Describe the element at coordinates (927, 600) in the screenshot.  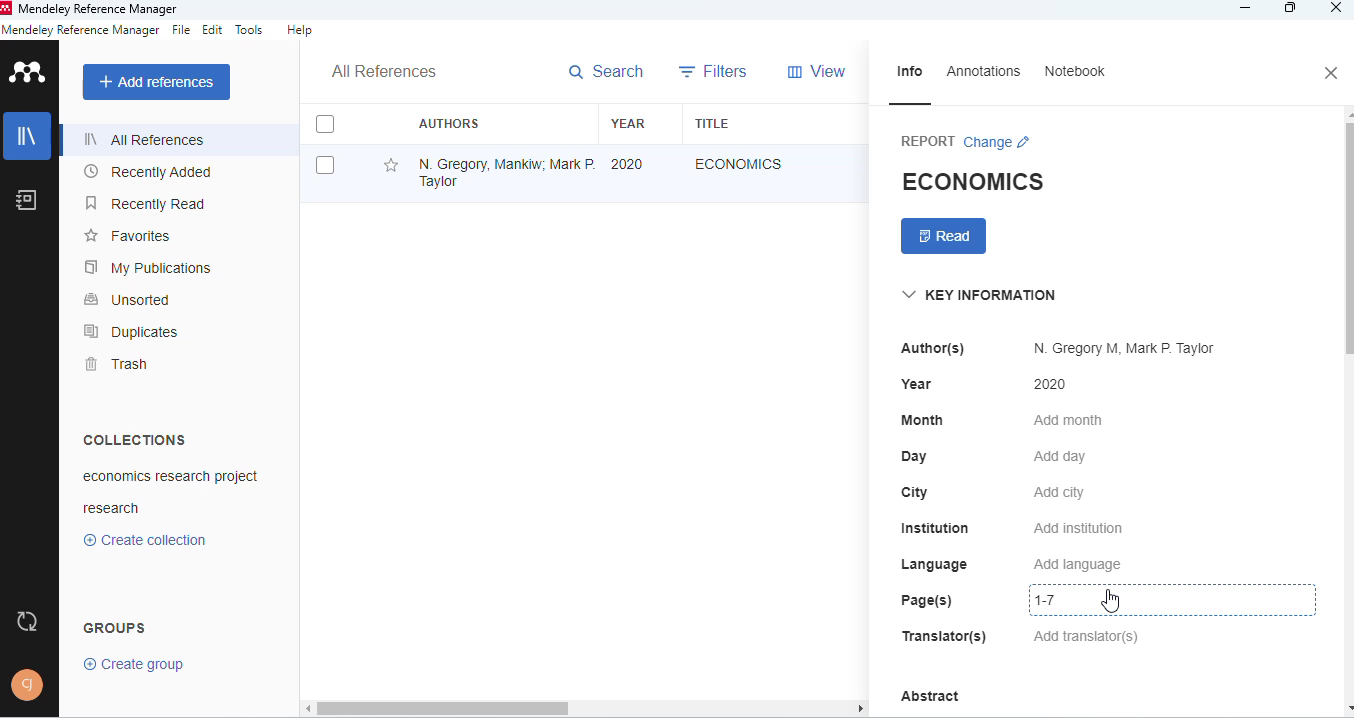
I see `page(s)` at that location.